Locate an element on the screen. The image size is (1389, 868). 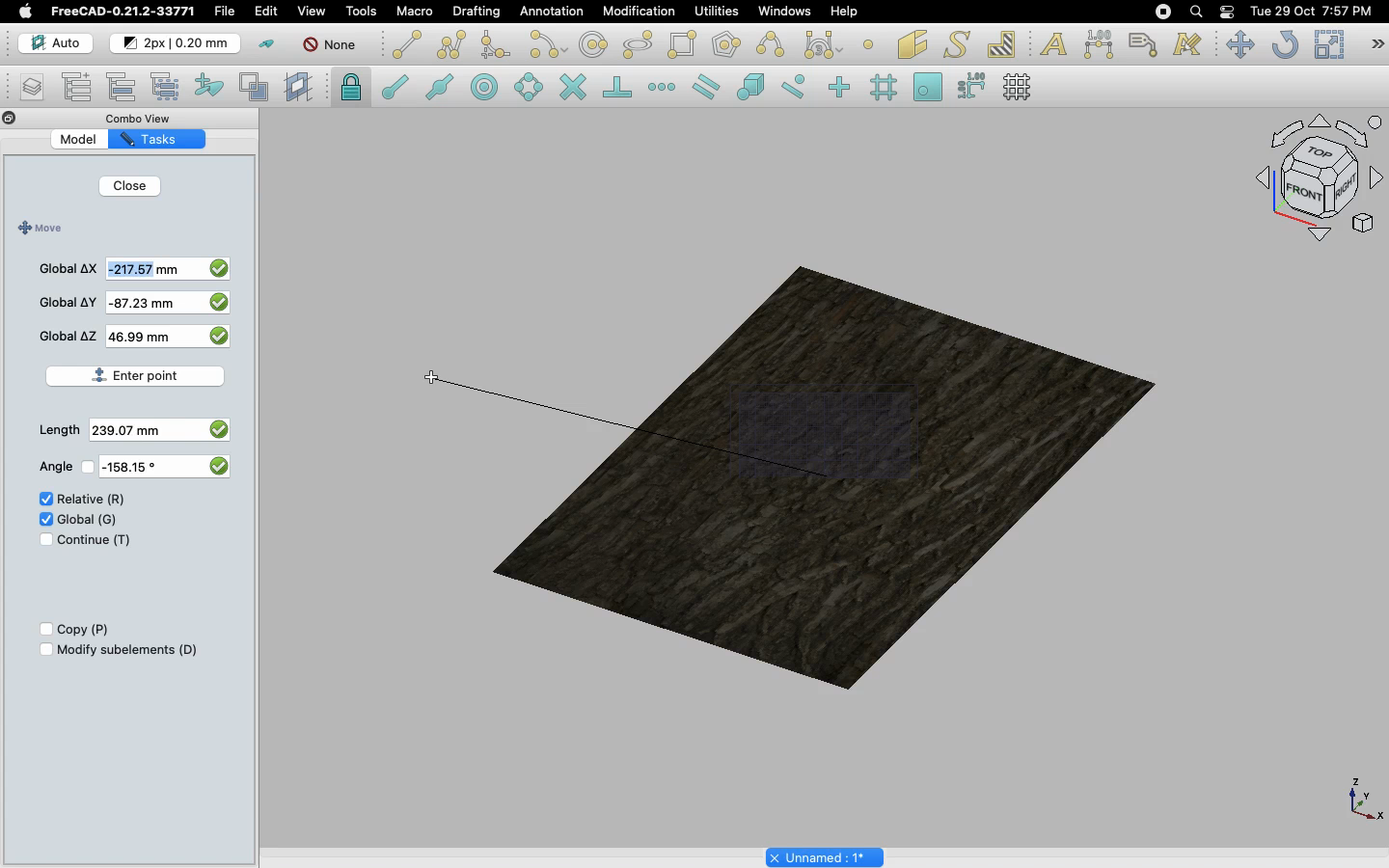
Point is located at coordinates (868, 42).